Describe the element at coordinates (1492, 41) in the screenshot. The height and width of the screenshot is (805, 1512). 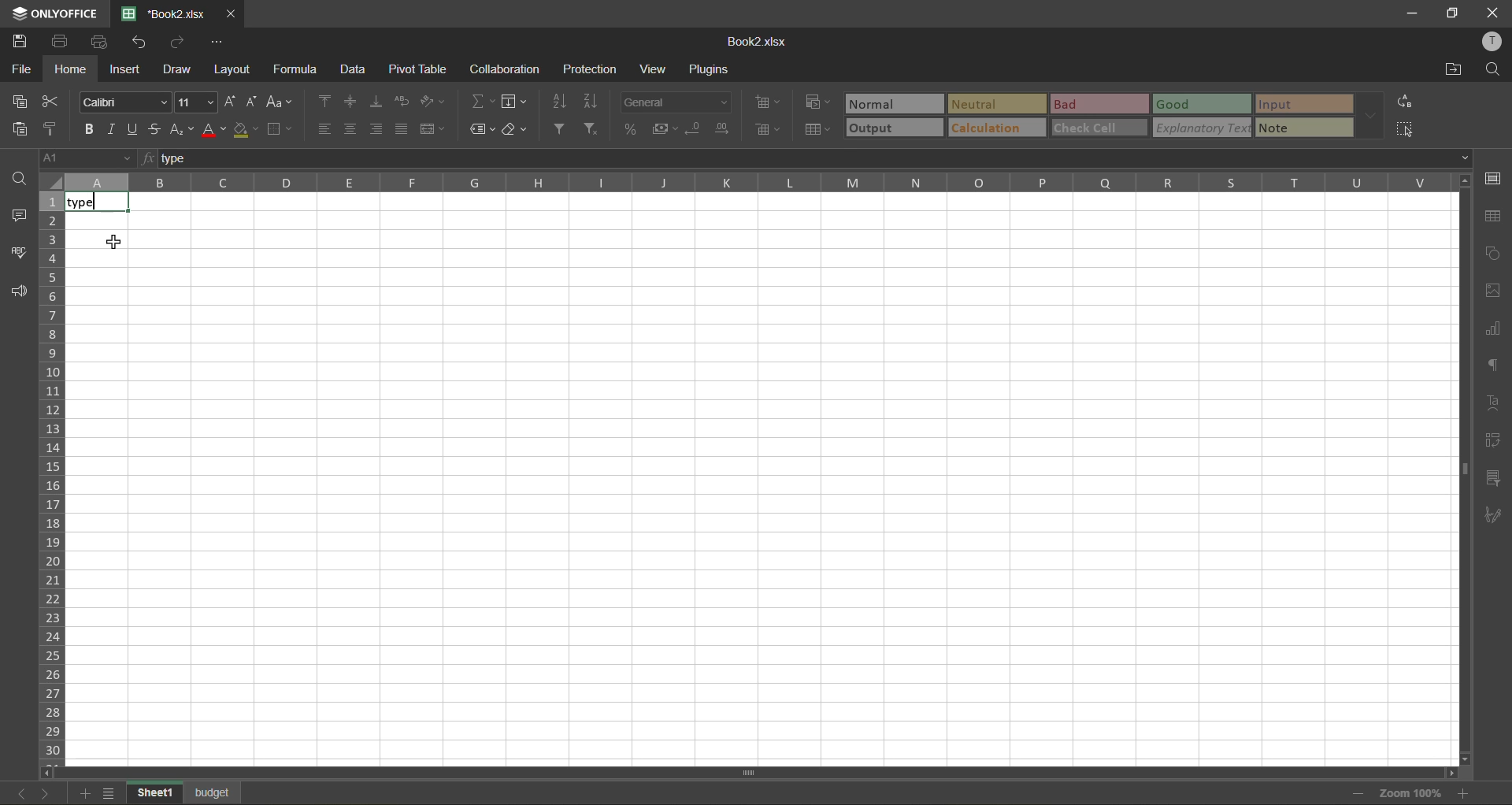
I see `profile` at that location.